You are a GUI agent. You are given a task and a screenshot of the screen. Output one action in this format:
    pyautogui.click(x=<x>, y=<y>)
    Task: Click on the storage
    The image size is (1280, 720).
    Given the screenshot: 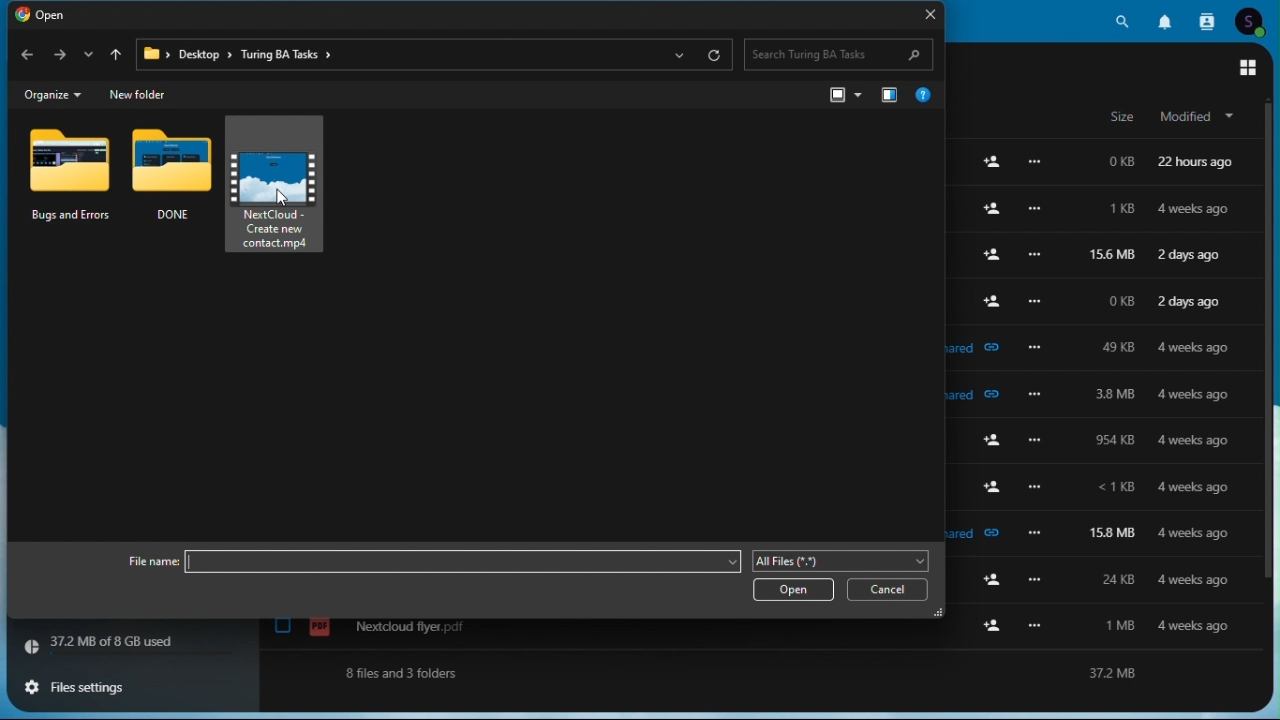 What is the action you would take?
    pyautogui.click(x=133, y=644)
    